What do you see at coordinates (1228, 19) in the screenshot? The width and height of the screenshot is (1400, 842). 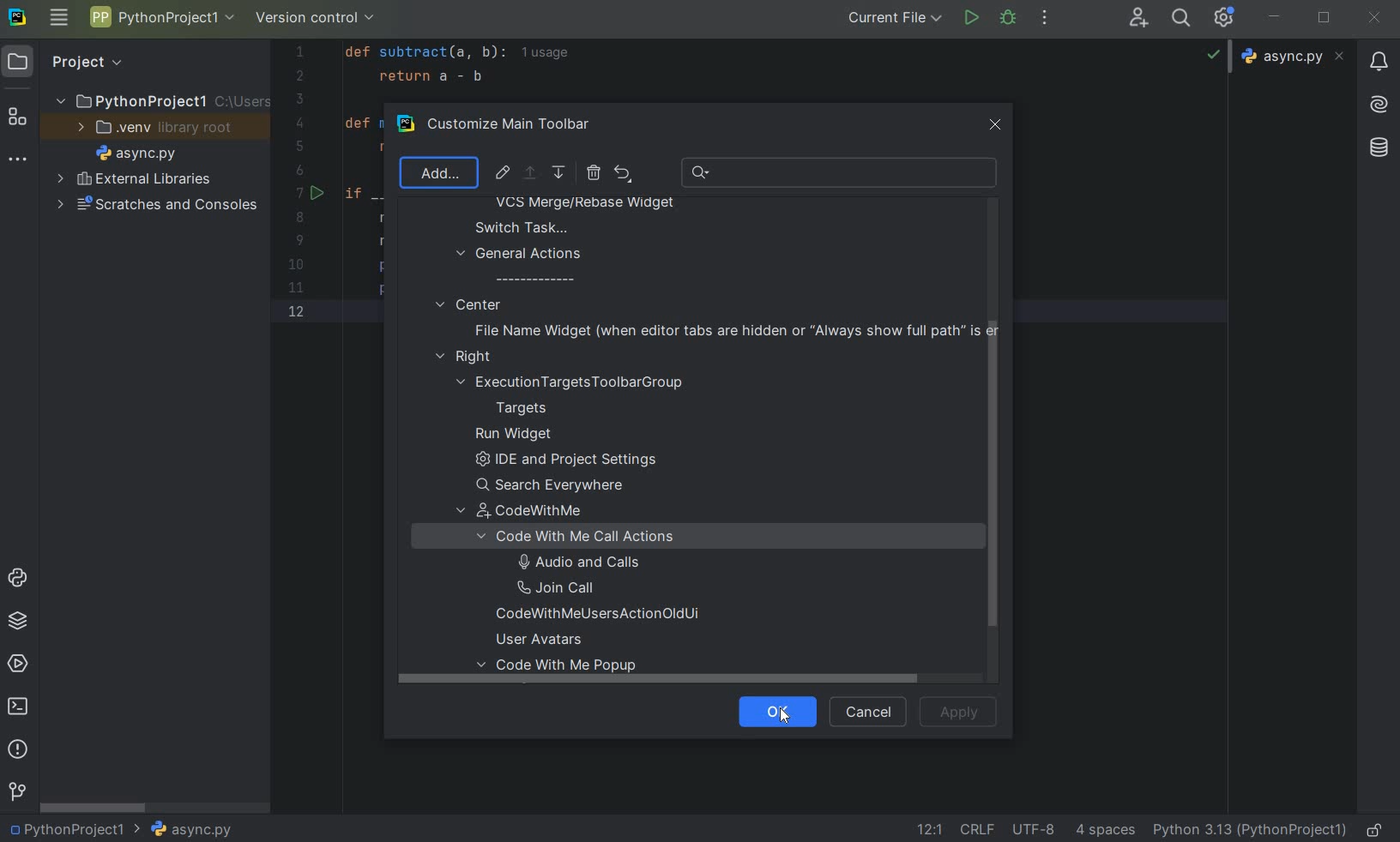 I see `IDE & PROJECT SETTINGS` at bounding box center [1228, 19].